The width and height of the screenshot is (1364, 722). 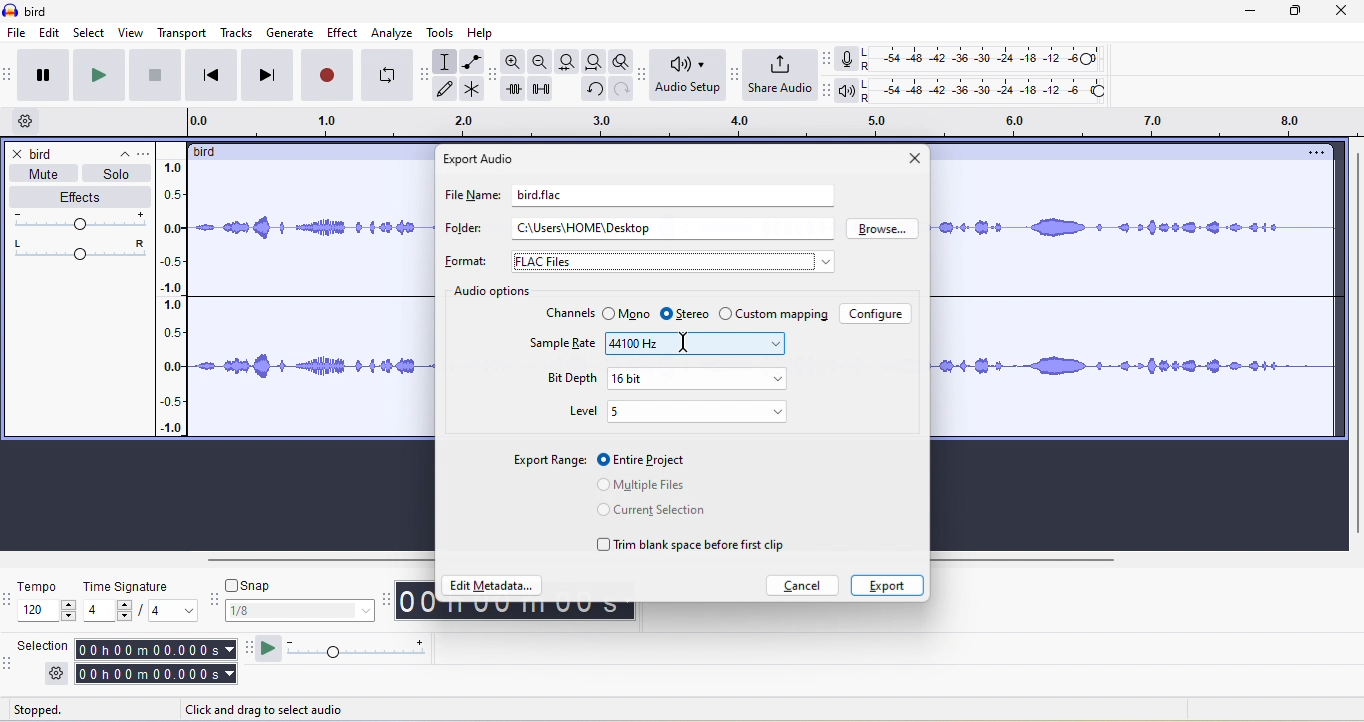 I want to click on trim audio outside selection, so click(x=517, y=92).